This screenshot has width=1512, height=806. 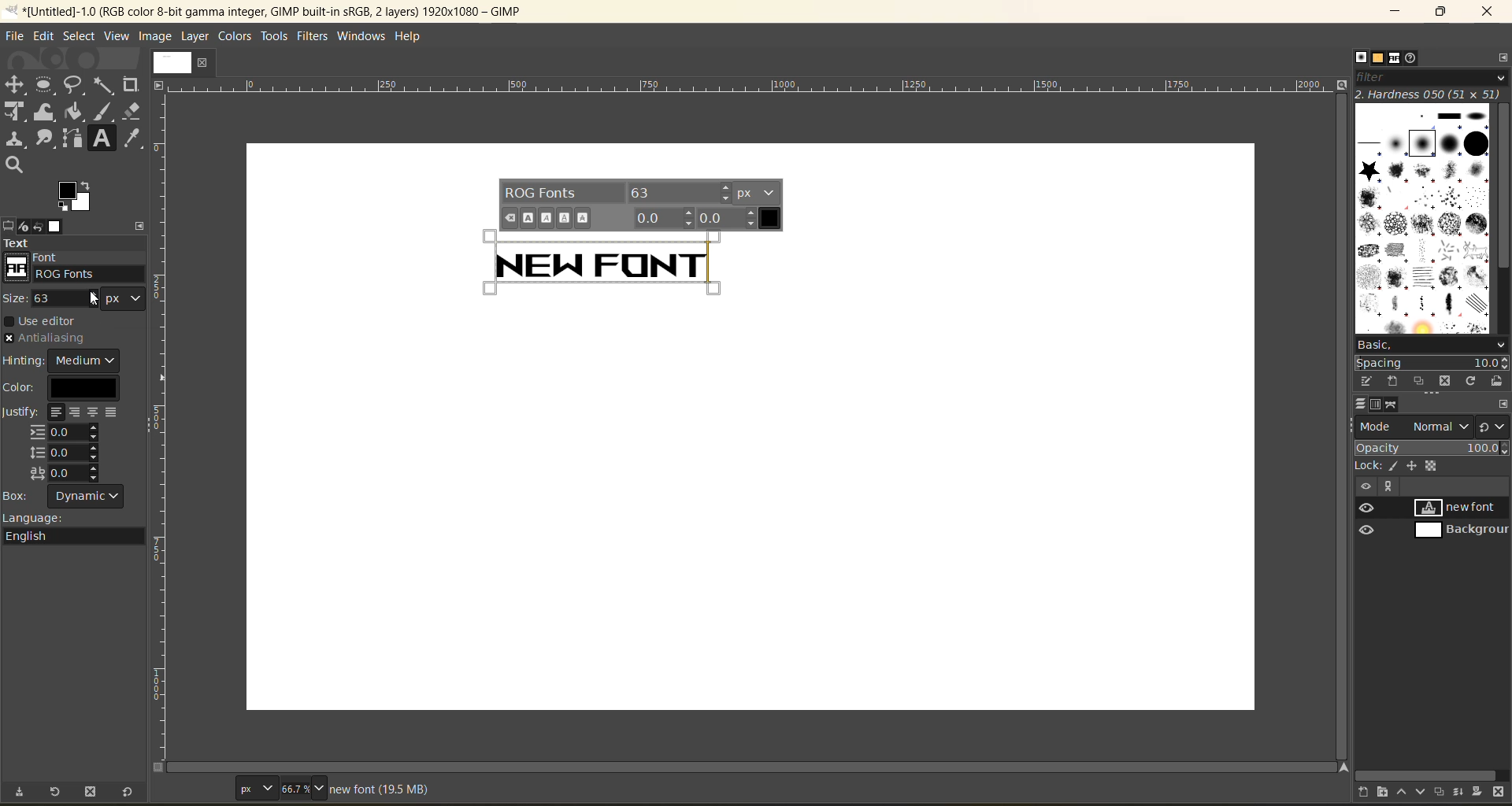 I want to click on open brush as image, so click(x=1497, y=381).